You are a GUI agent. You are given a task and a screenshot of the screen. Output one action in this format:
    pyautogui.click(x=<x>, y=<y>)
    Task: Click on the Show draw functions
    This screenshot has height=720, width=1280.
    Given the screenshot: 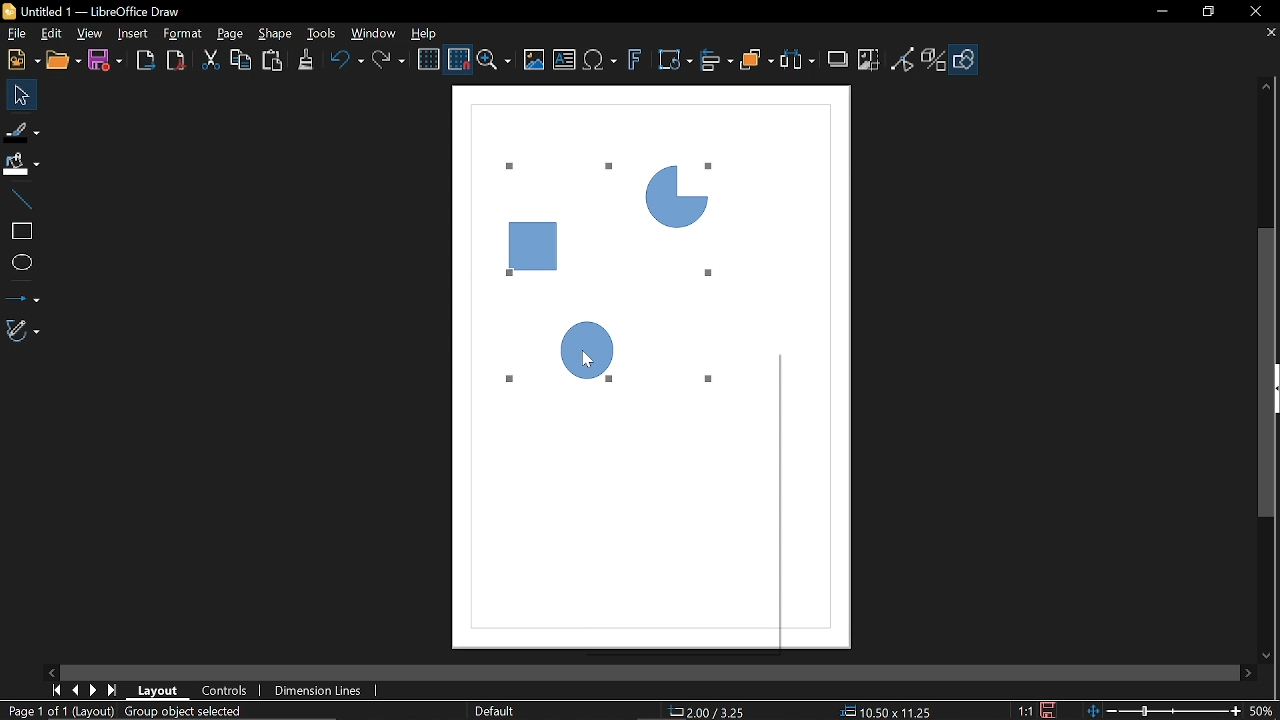 What is the action you would take?
    pyautogui.click(x=966, y=60)
    